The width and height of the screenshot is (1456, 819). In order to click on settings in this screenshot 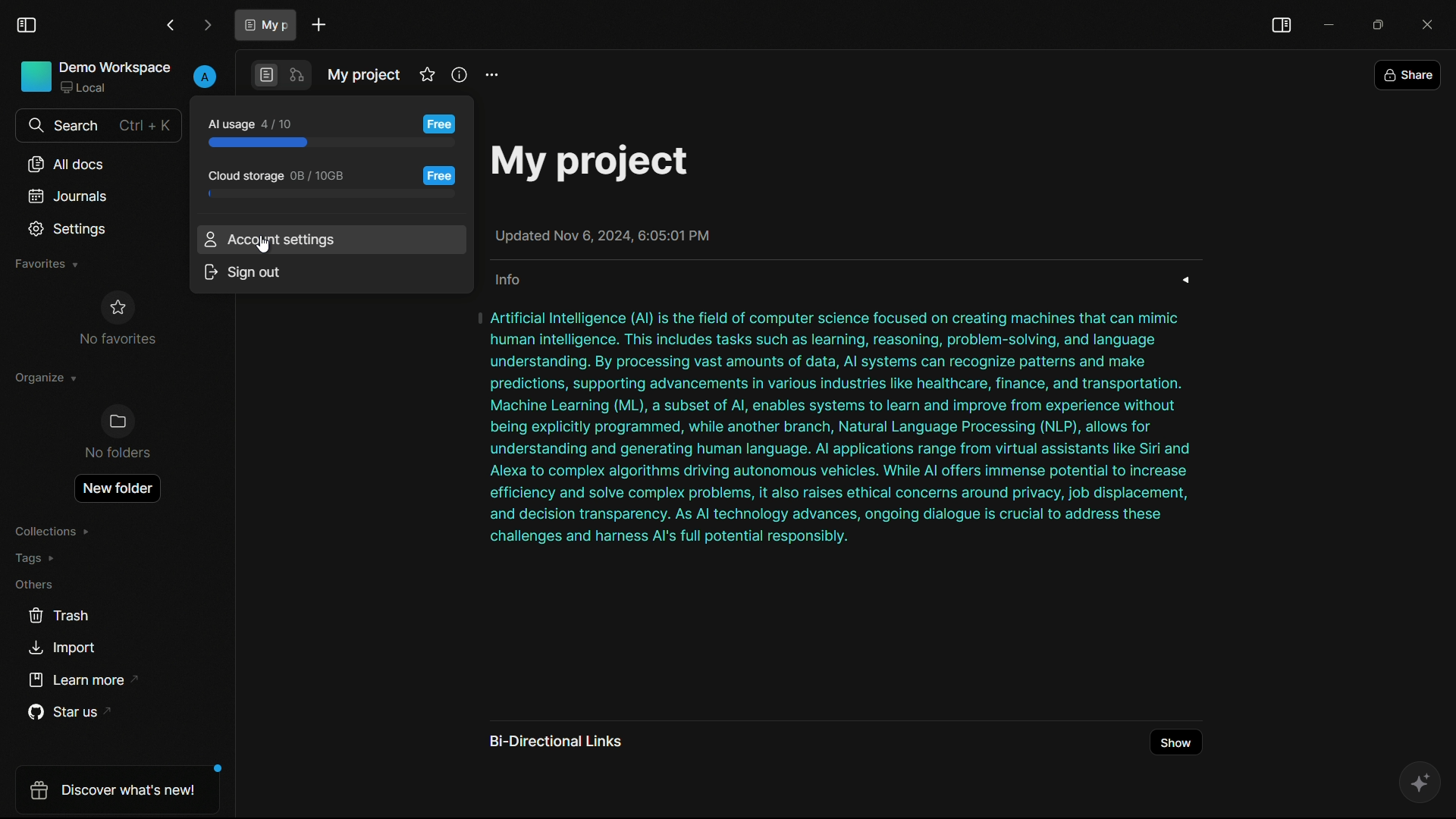, I will do `click(492, 76)`.